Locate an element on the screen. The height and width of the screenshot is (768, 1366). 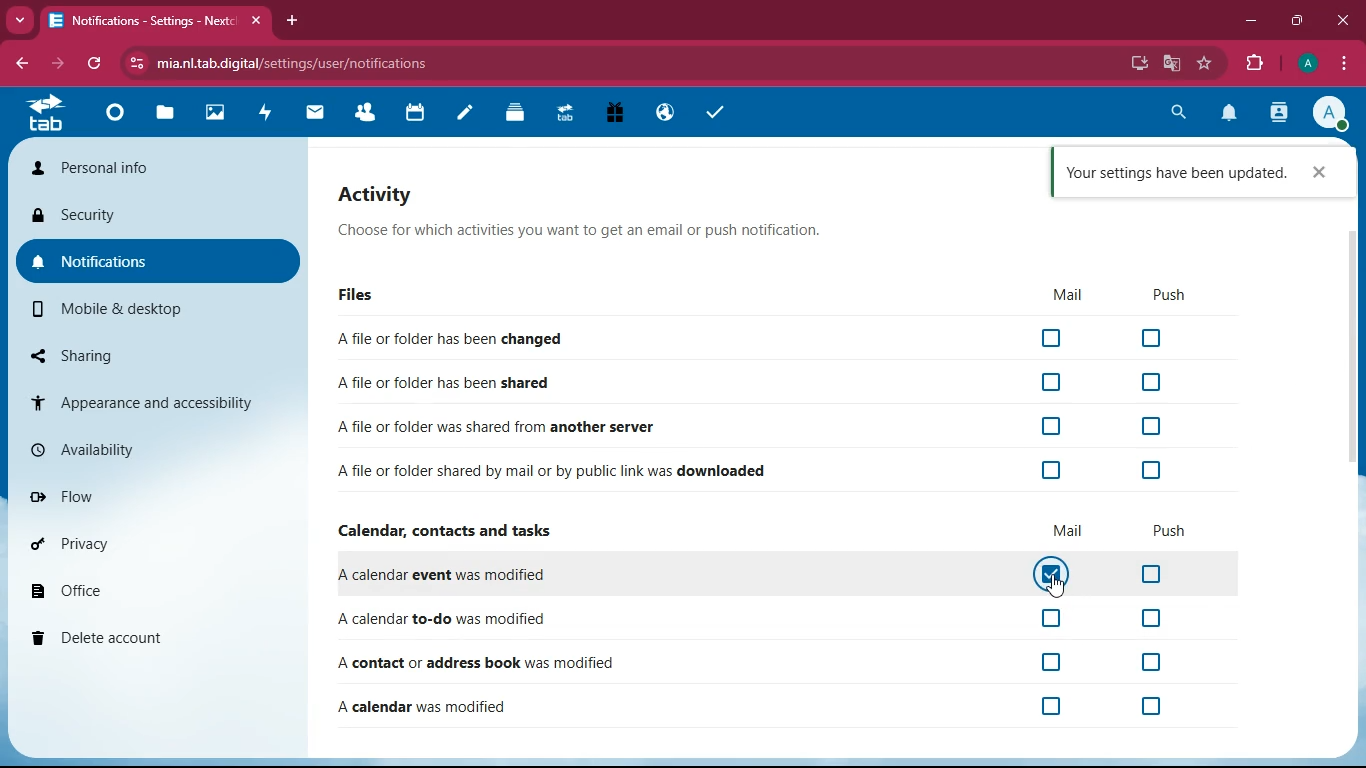
A calendar to-do was modified is located at coordinates (755, 618).